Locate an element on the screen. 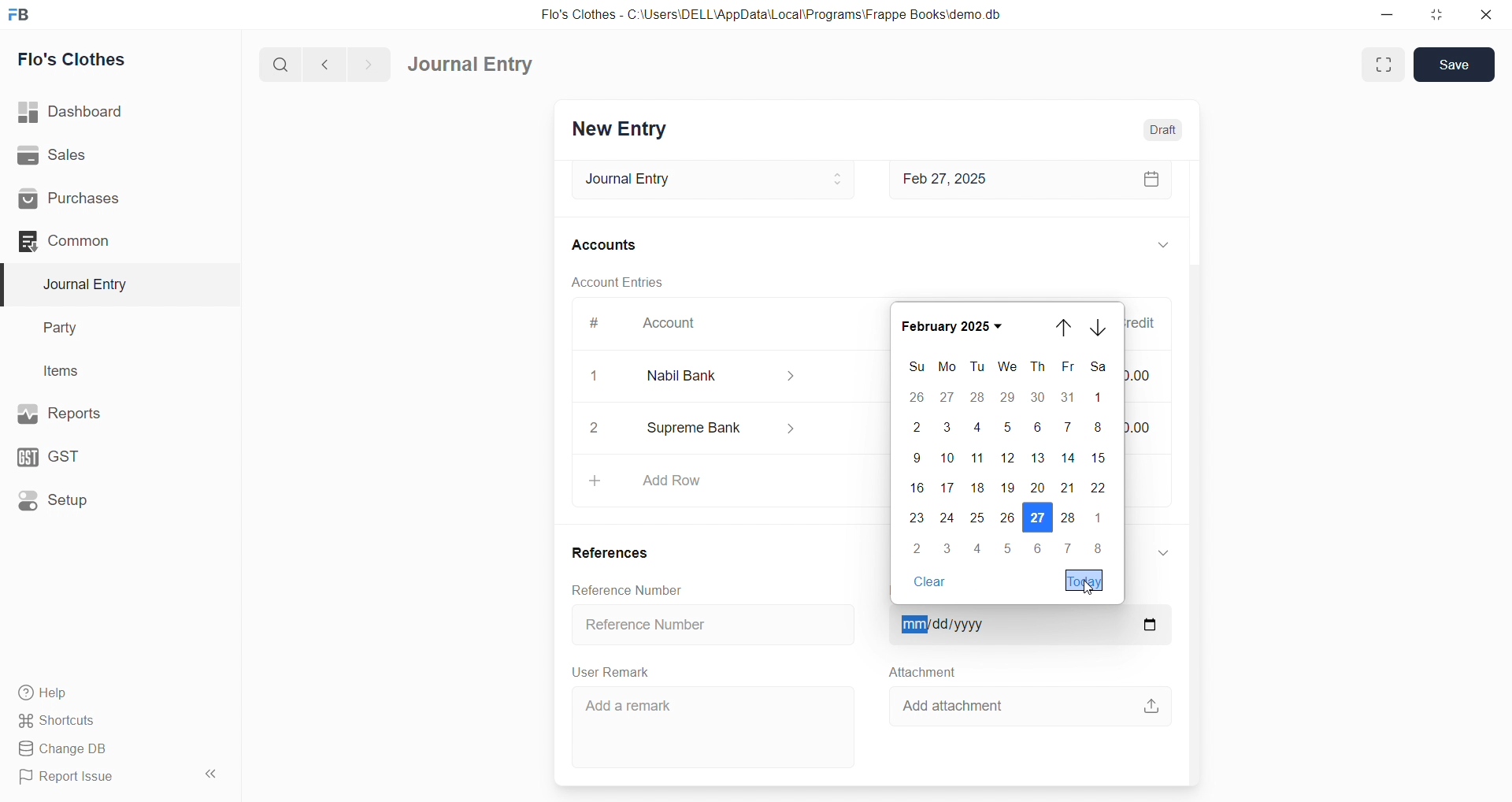 This screenshot has width=1512, height=802. 9 is located at coordinates (916, 460).